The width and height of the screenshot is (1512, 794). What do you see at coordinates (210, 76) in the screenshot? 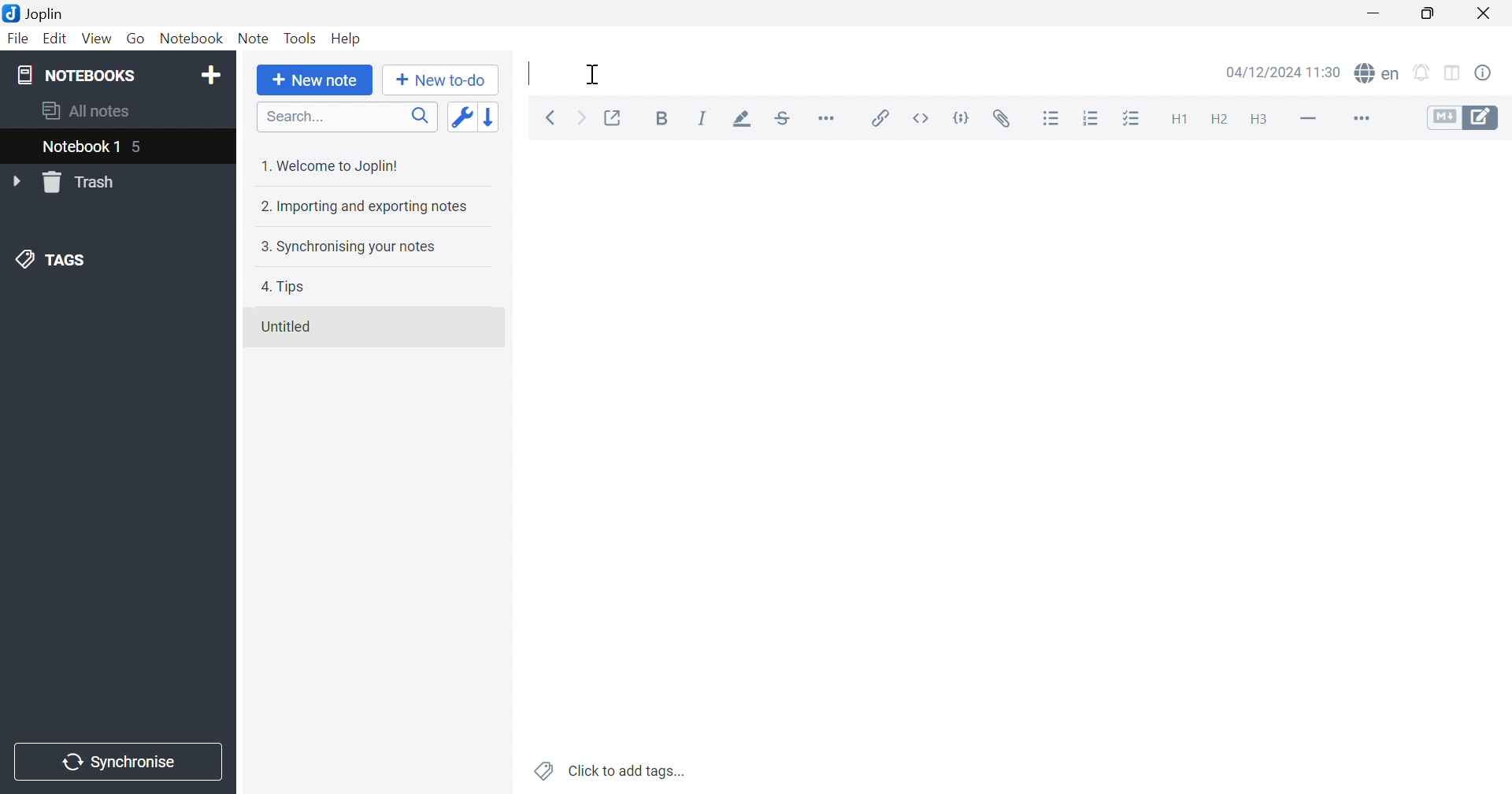
I see `Add notebook` at bounding box center [210, 76].